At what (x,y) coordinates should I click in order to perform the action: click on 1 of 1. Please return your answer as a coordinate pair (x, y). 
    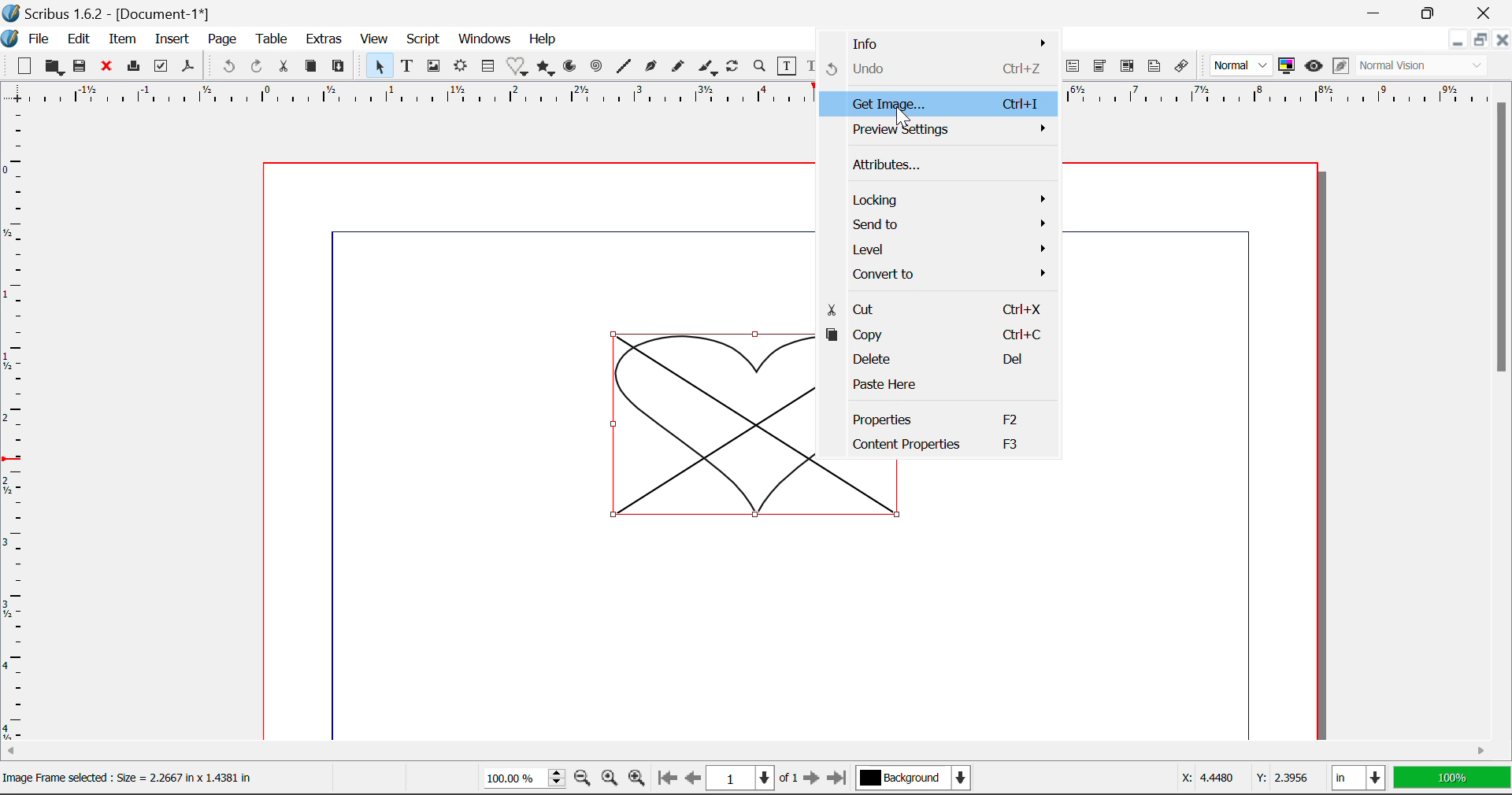
    Looking at the image, I should click on (753, 778).